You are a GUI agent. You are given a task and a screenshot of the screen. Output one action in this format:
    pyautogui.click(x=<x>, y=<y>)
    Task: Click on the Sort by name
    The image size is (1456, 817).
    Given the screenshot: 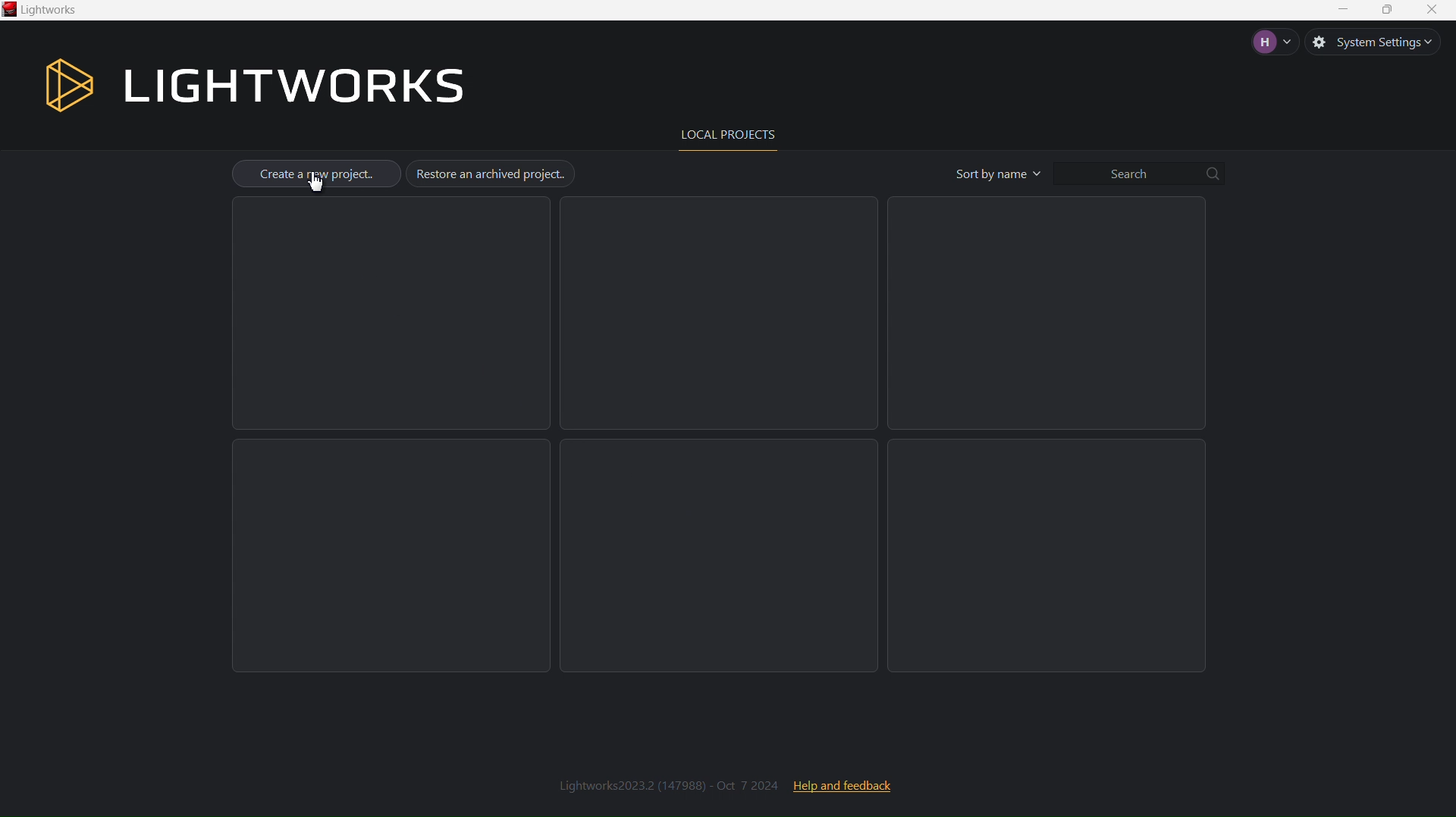 What is the action you would take?
    pyautogui.click(x=996, y=174)
    